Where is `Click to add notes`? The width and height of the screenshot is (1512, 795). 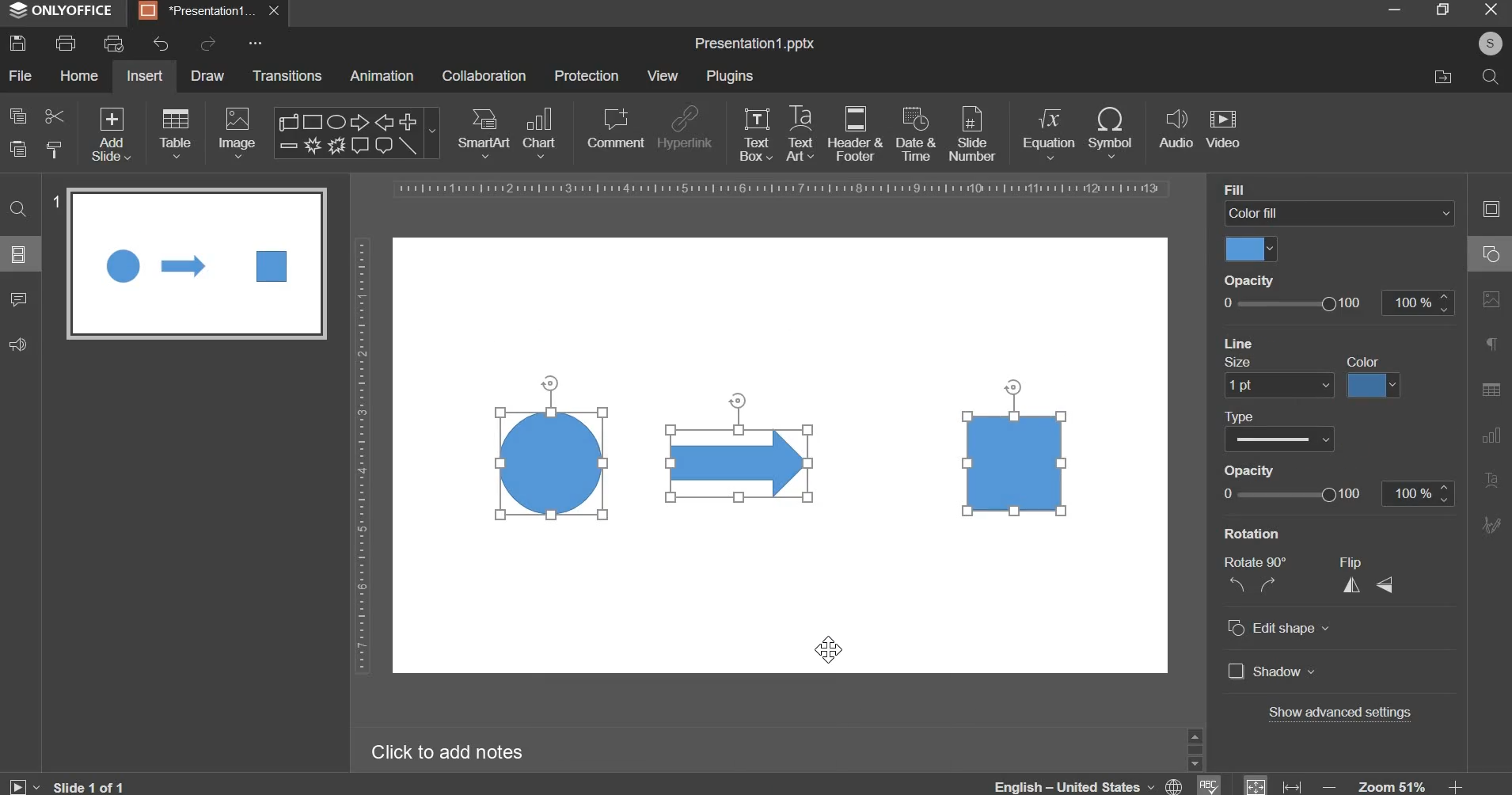
Click to add notes is located at coordinates (446, 751).